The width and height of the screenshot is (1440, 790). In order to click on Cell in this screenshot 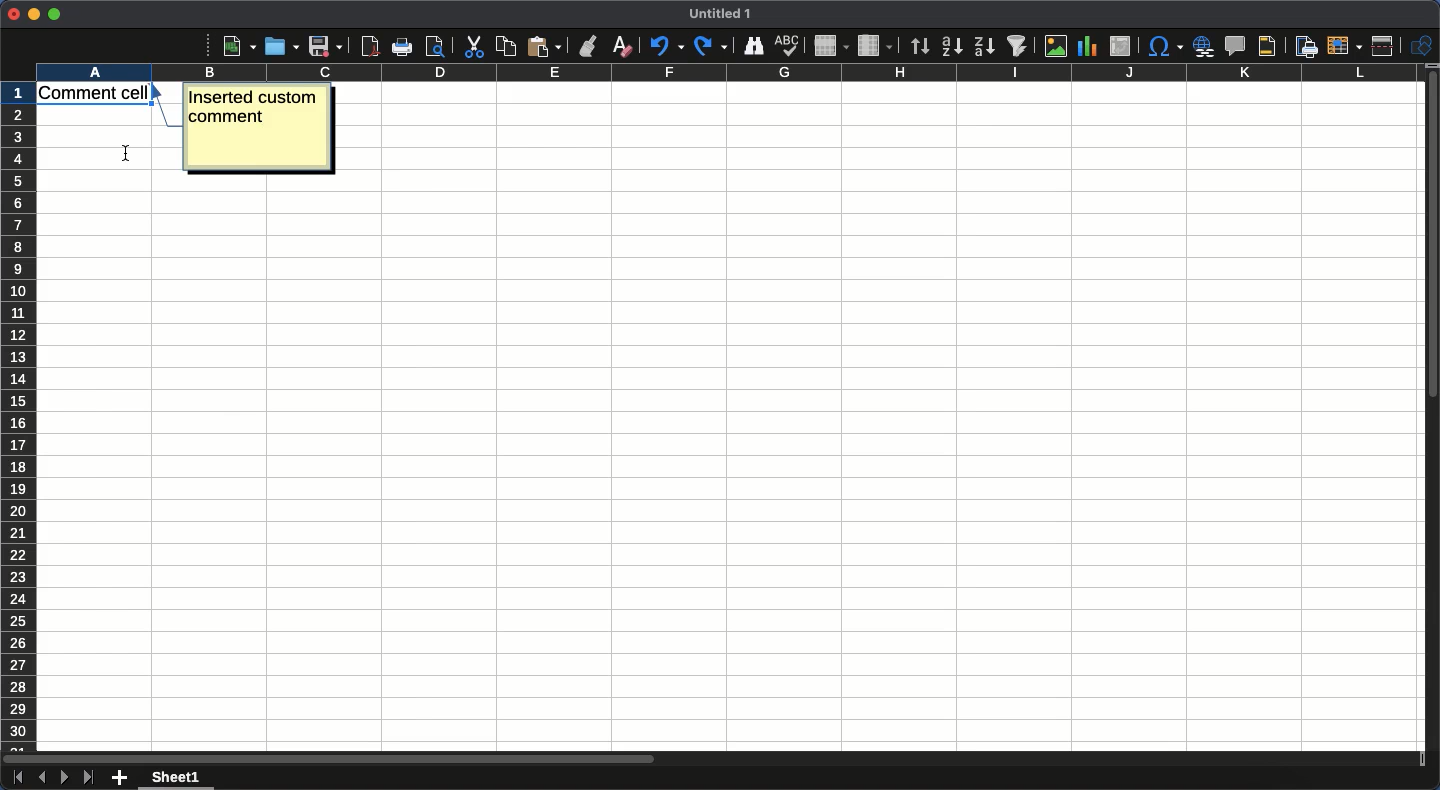, I will do `click(98, 96)`.